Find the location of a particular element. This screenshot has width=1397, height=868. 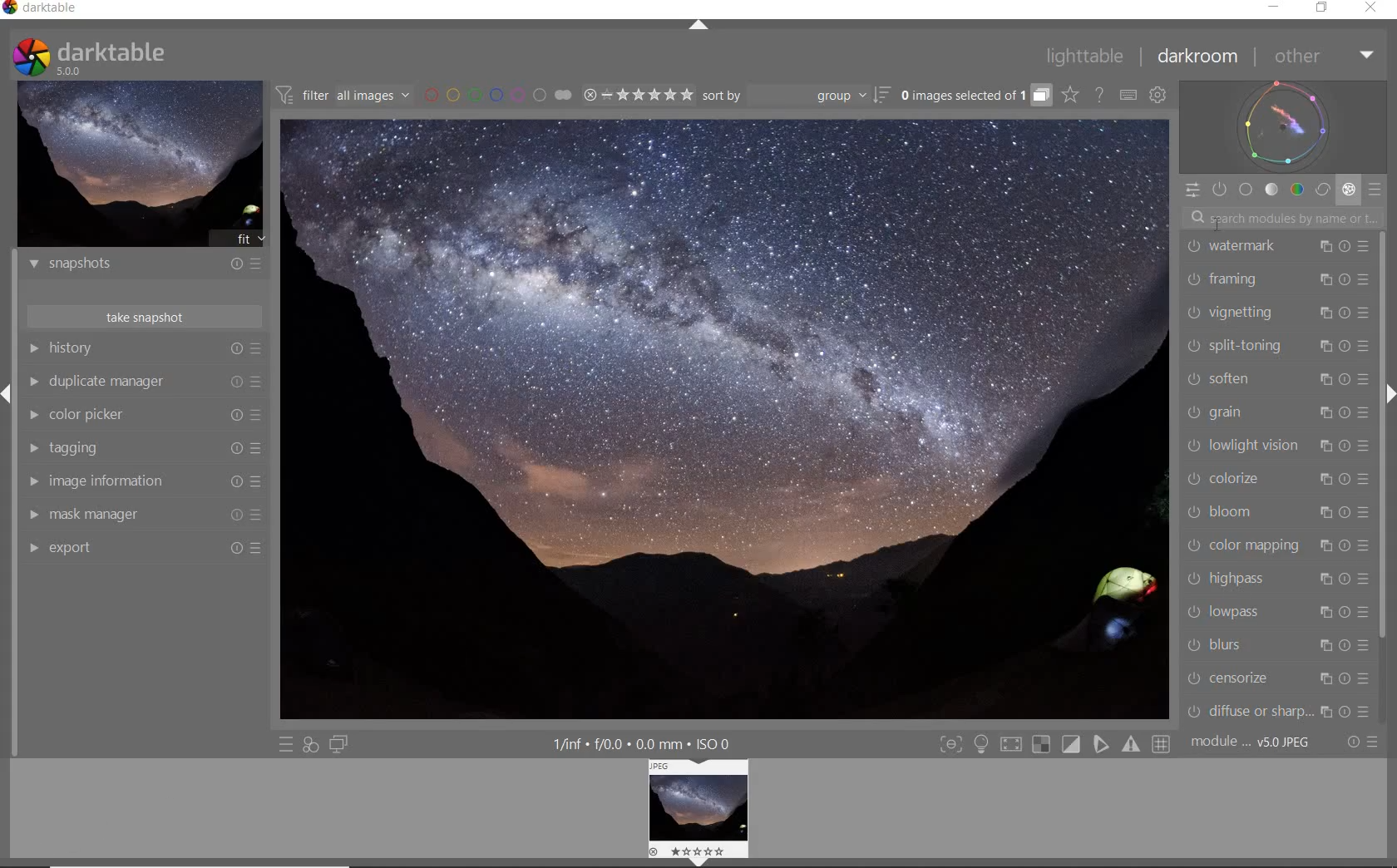

presets is located at coordinates (1366, 316).